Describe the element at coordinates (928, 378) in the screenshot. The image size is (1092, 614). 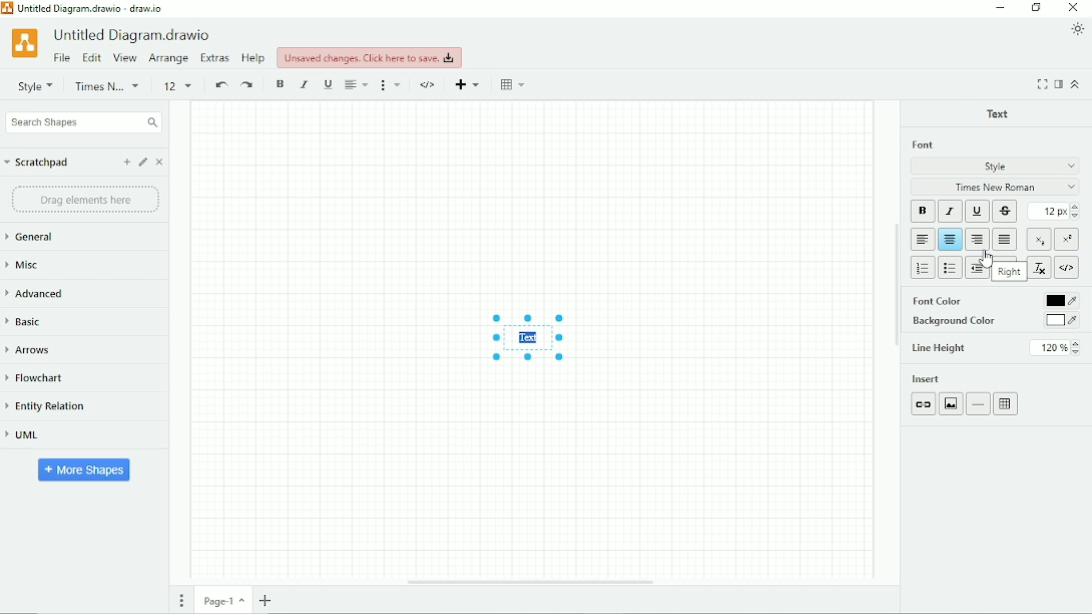
I see `Insert` at that location.